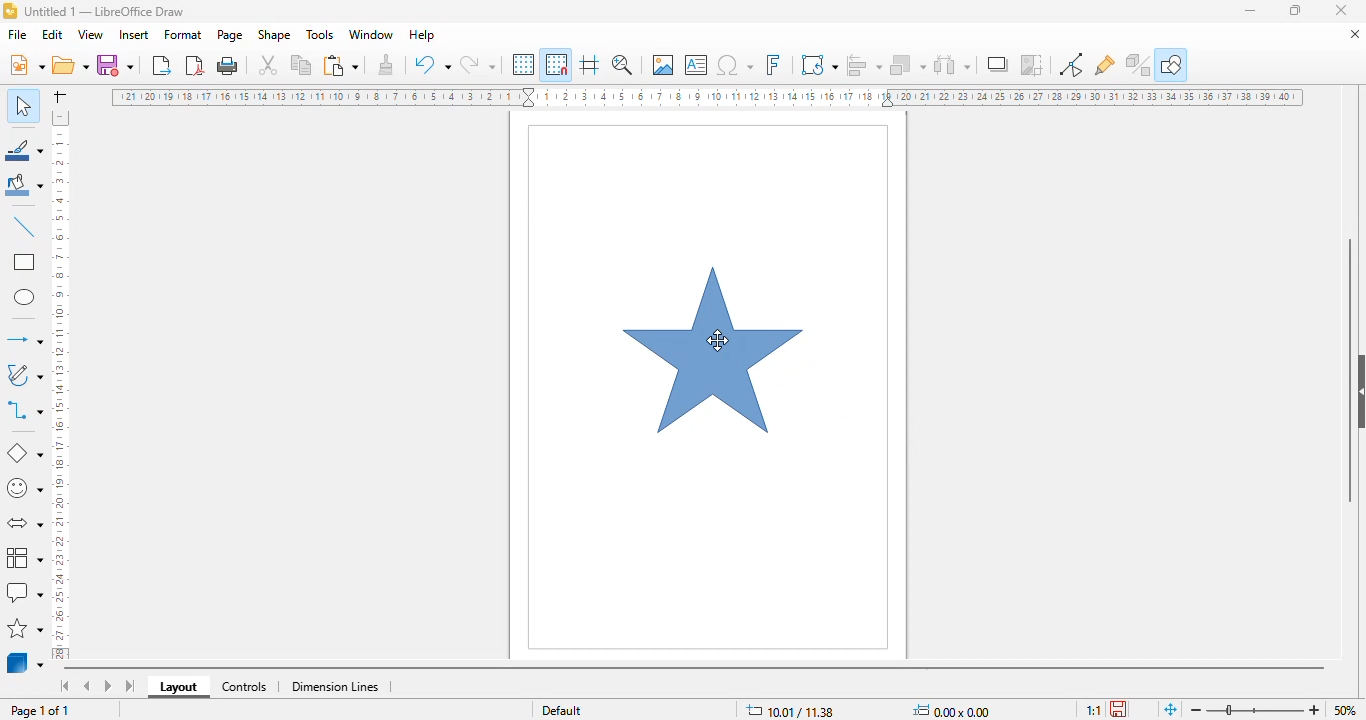 This screenshot has height=720, width=1366. Describe the element at coordinates (41, 710) in the screenshot. I see `page 1 of 1` at that location.